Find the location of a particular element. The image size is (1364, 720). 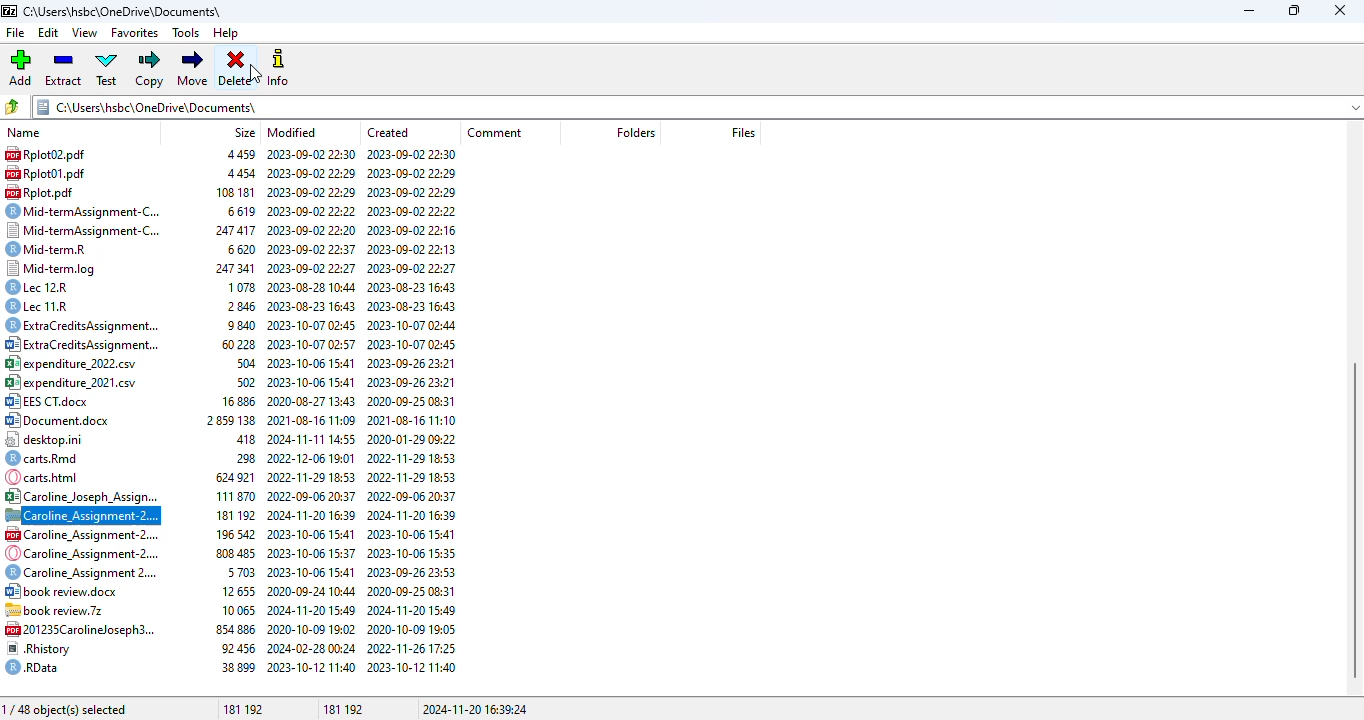

247417 is located at coordinates (237, 229).